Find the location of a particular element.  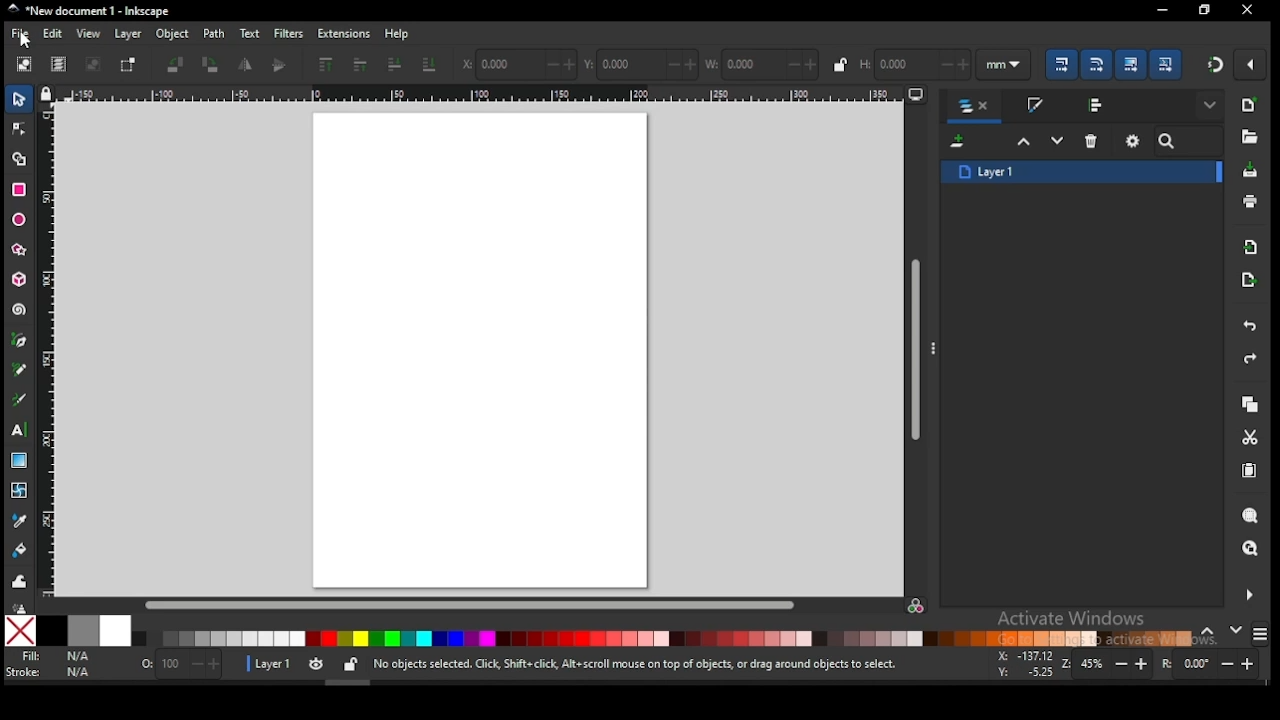

layer is located at coordinates (128, 34).